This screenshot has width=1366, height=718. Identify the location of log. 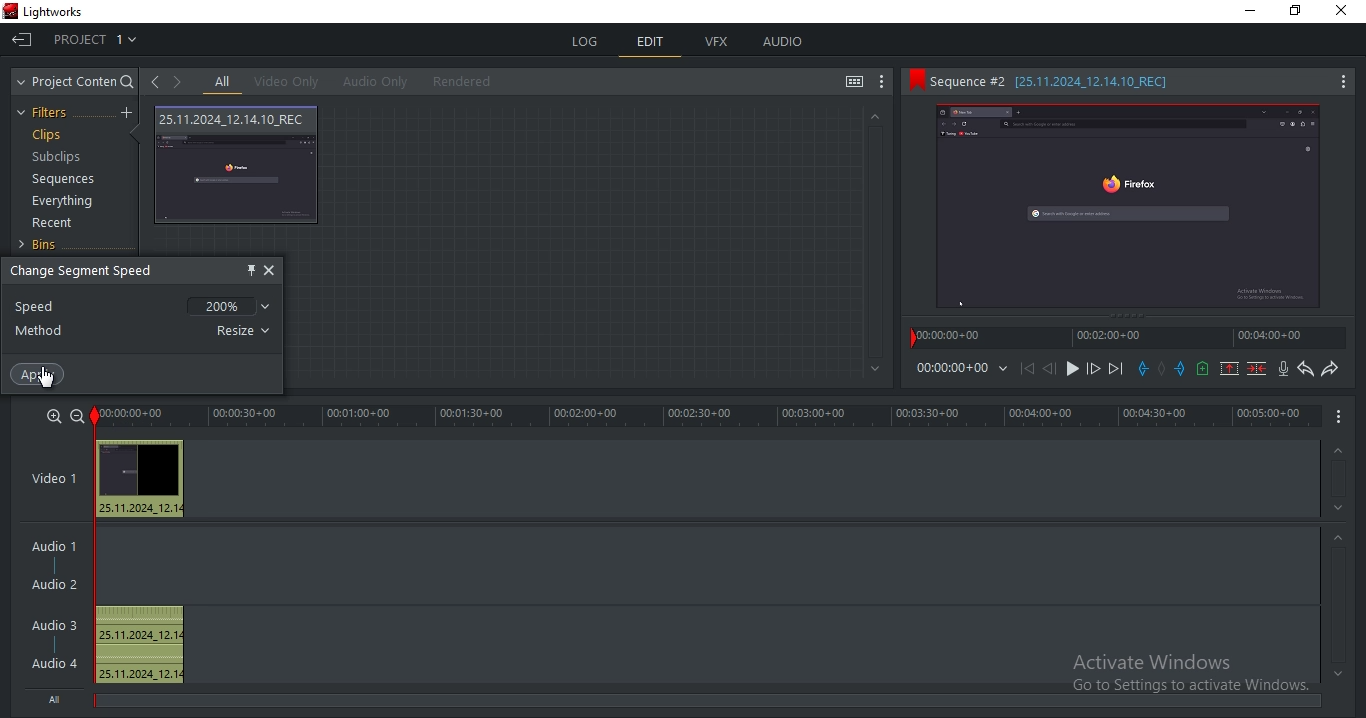
(586, 39).